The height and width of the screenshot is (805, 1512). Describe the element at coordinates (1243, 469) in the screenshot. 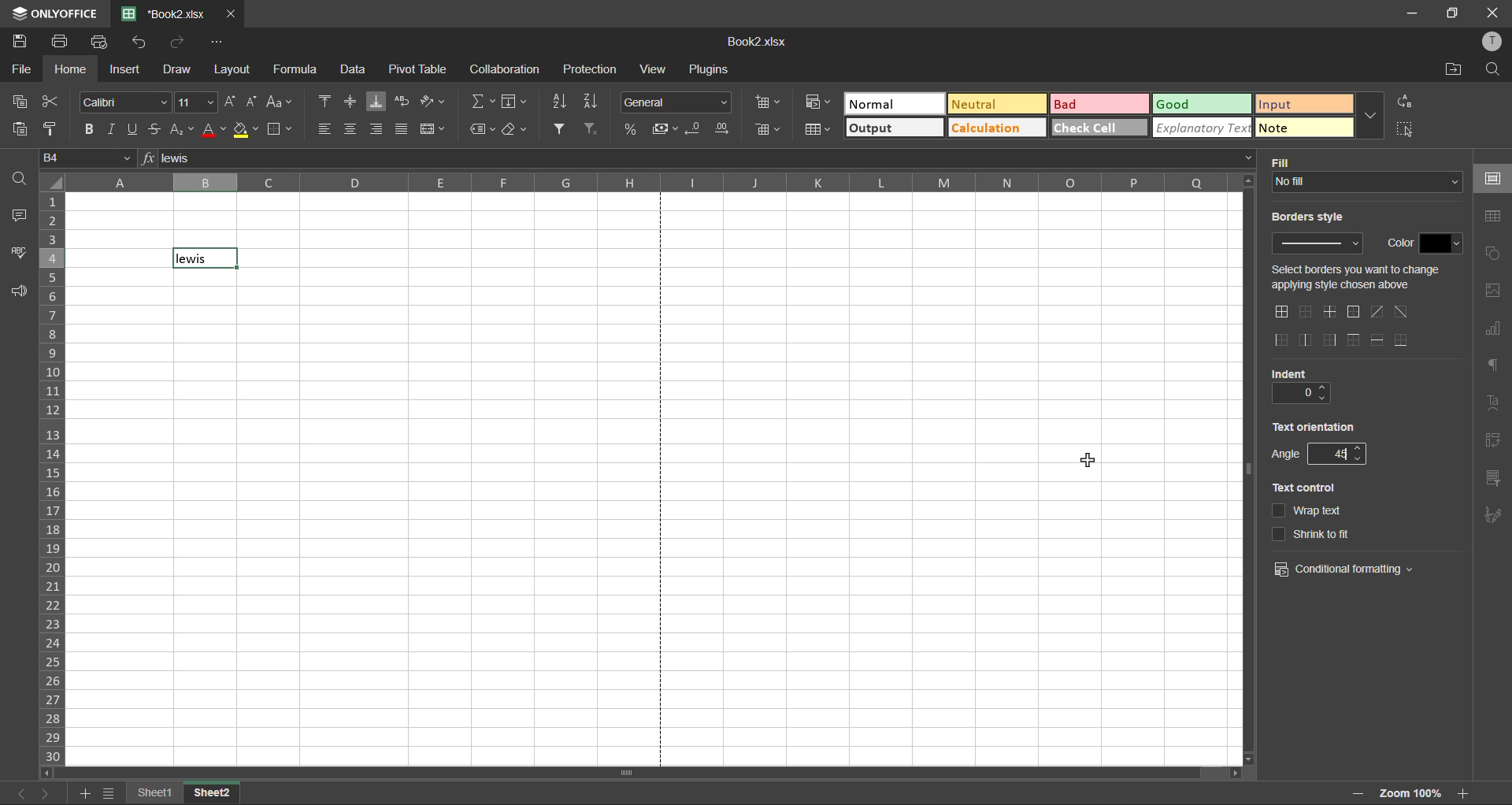

I see `vertical scrollbar` at that location.